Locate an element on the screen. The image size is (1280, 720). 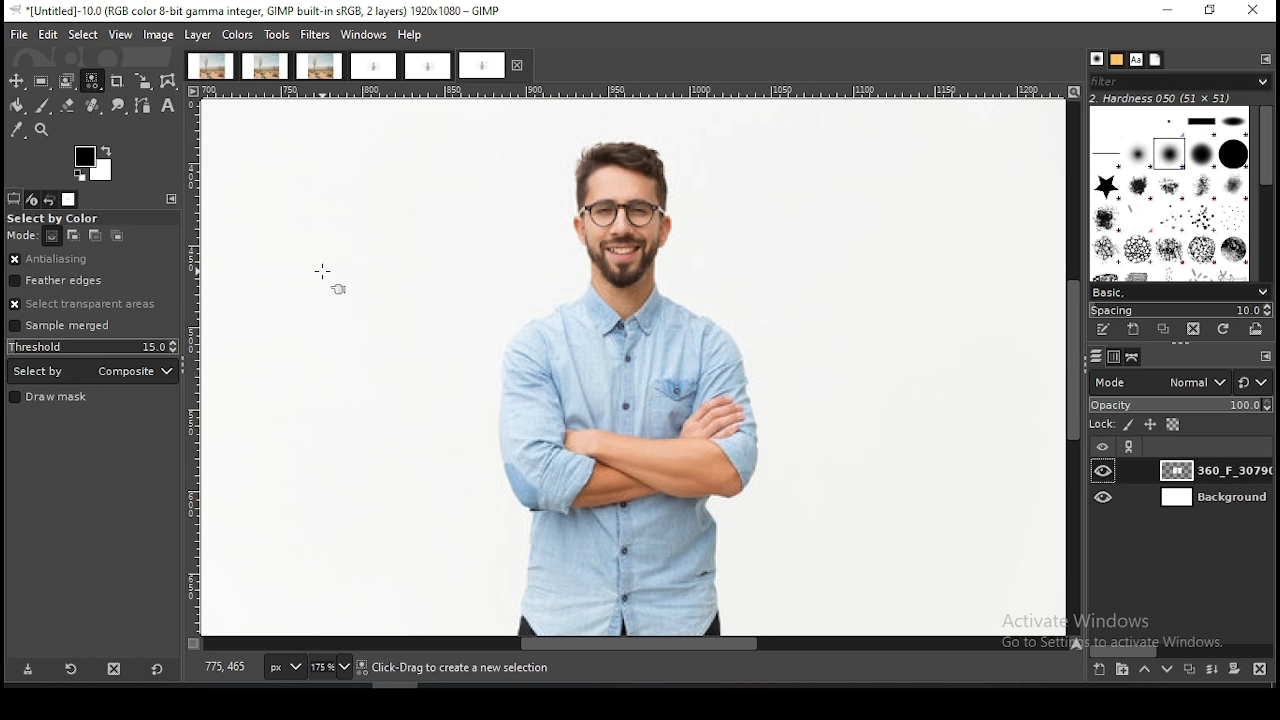
patterns is located at coordinates (1118, 60).